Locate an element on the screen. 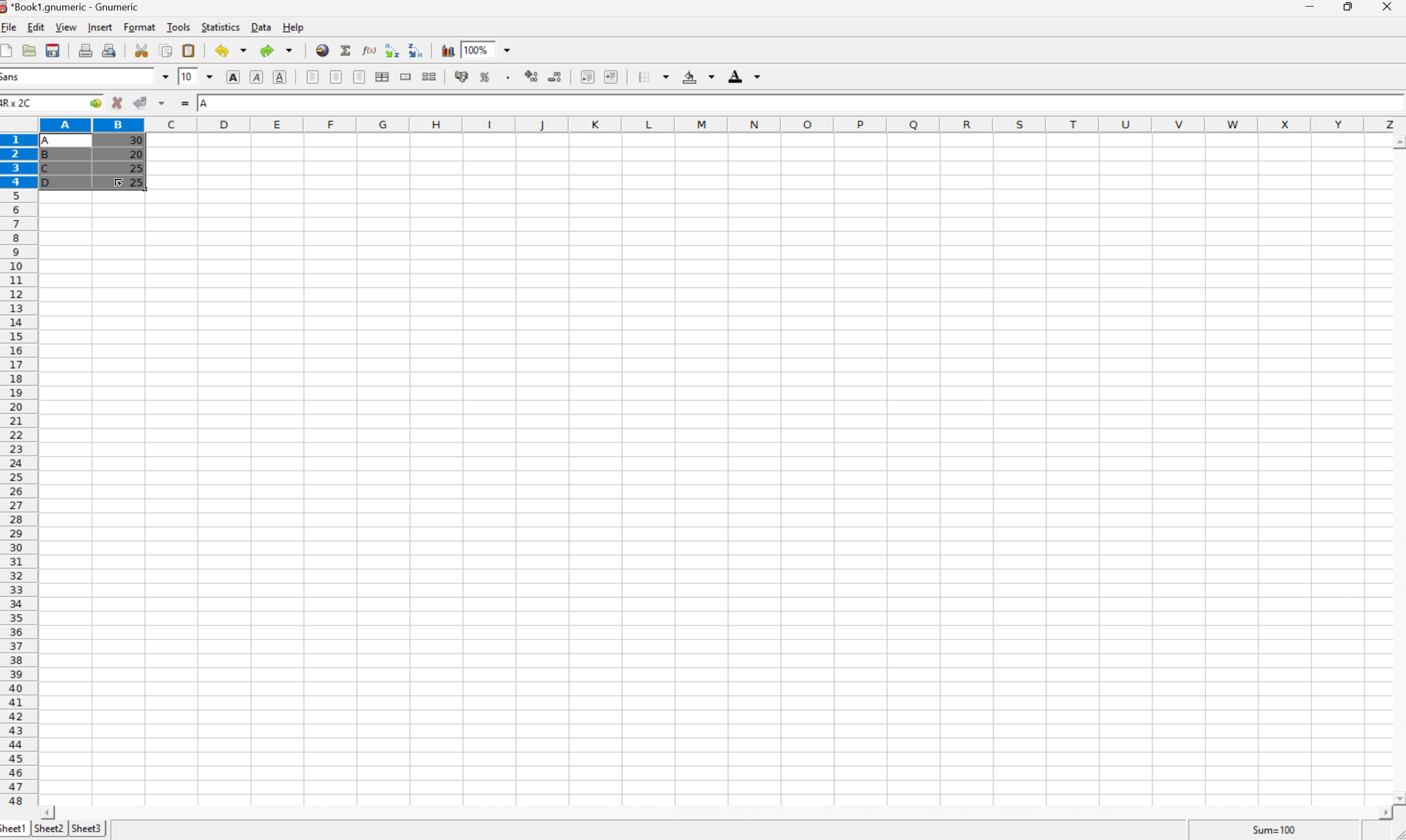 The width and height of the screenshot is (1406, 840). 25 is located at coordinates (138, 182).